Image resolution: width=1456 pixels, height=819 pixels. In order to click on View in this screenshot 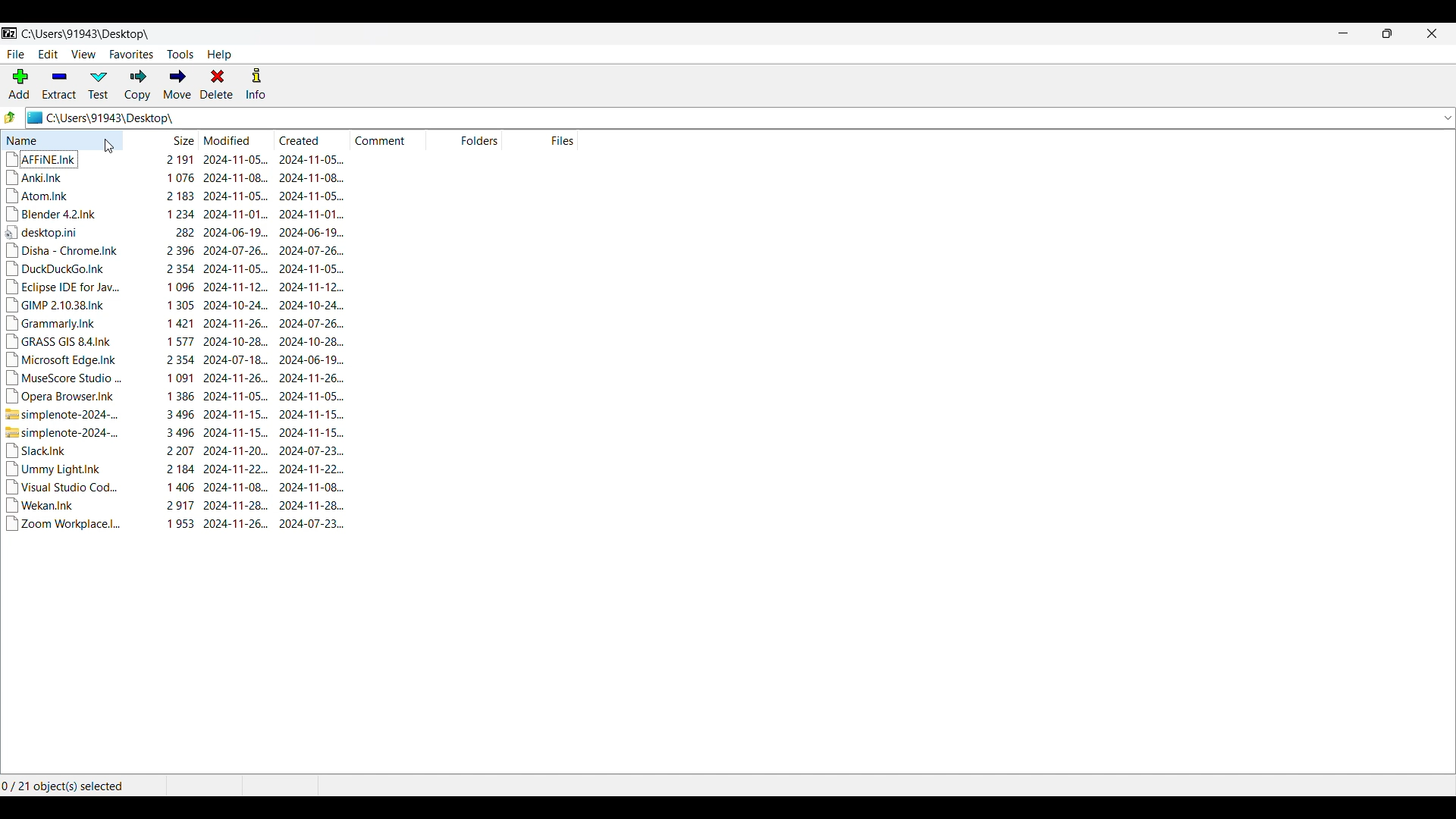, I will do `click(83, 54)`.